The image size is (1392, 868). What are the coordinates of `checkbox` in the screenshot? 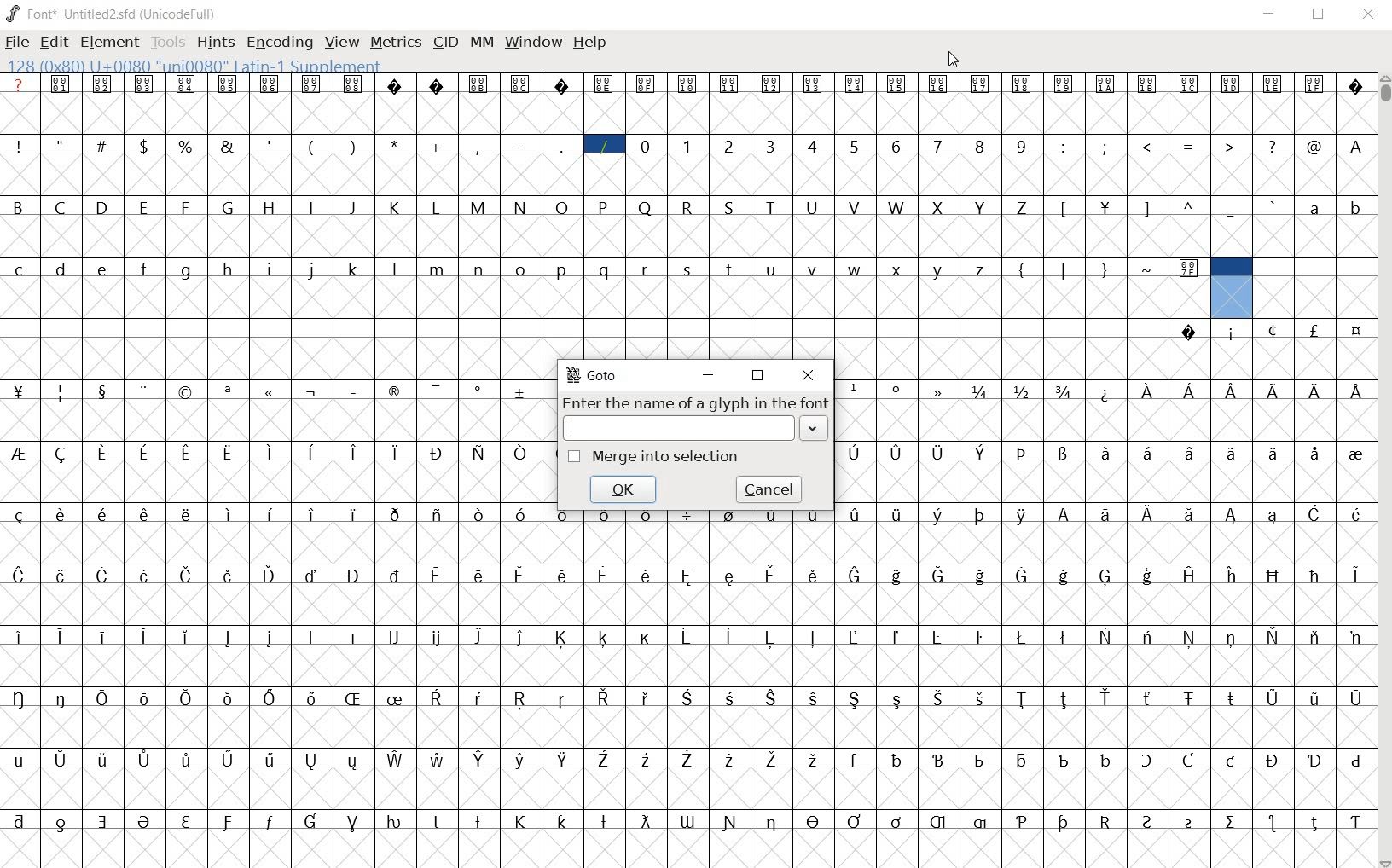 It's located at (575, 457).